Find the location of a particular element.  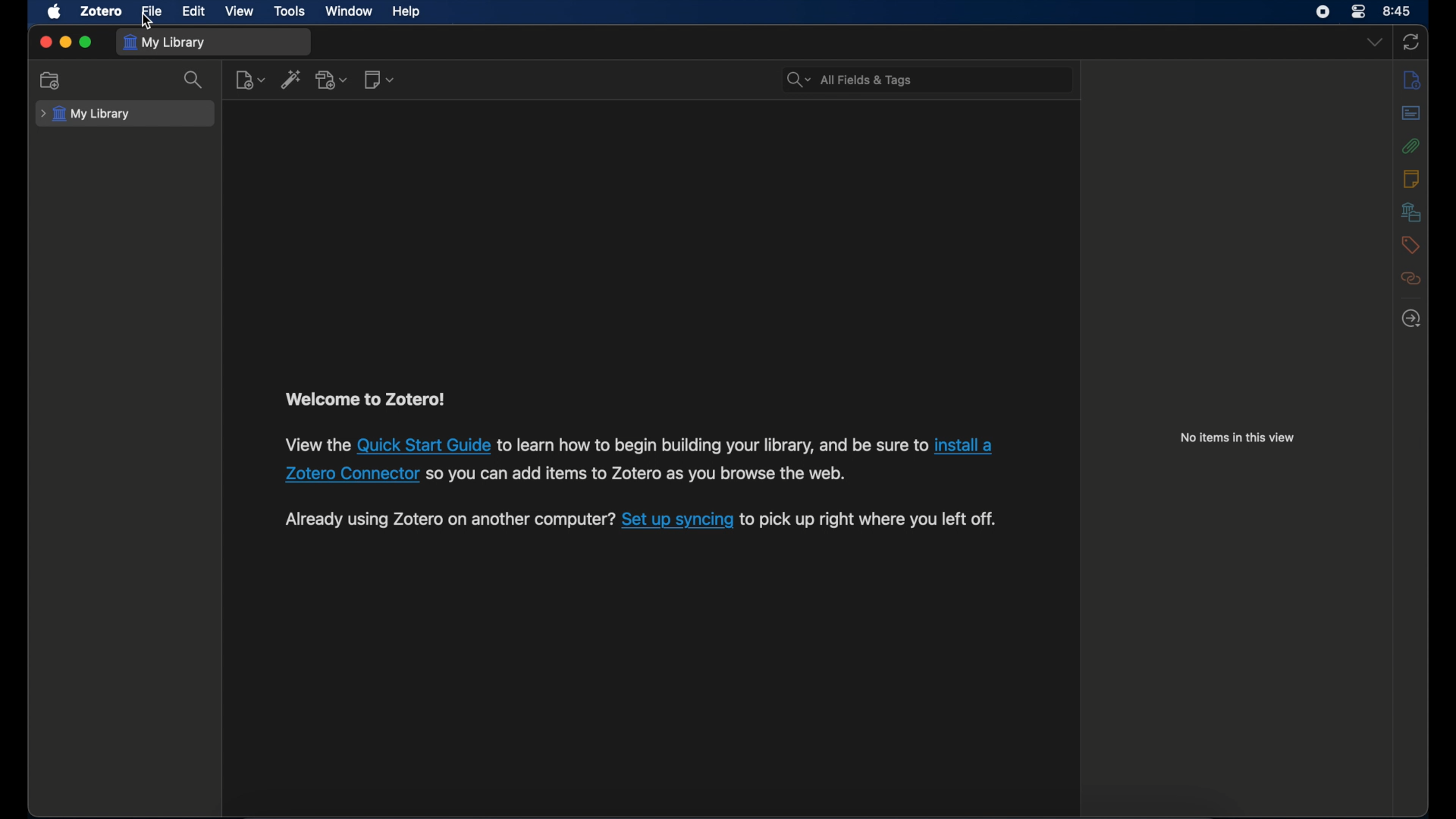

sync is located at coordinates (1412, 42).